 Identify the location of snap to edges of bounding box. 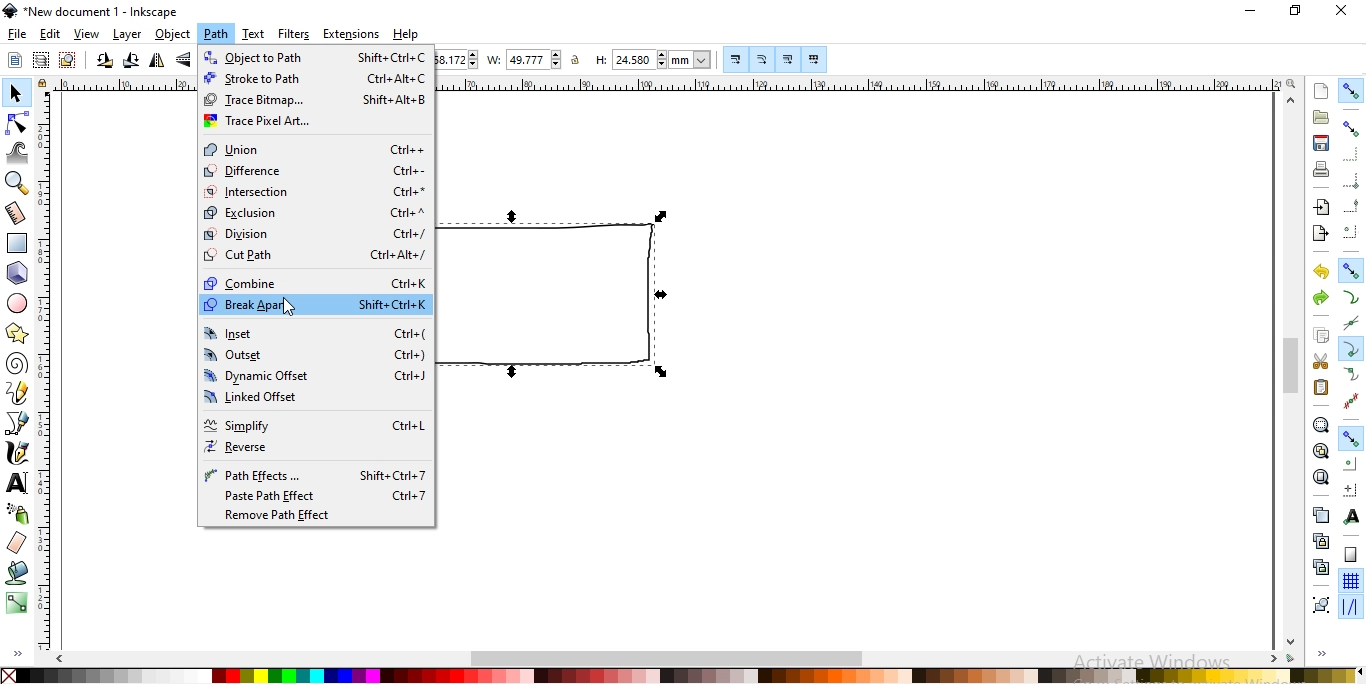
(1351, 155).